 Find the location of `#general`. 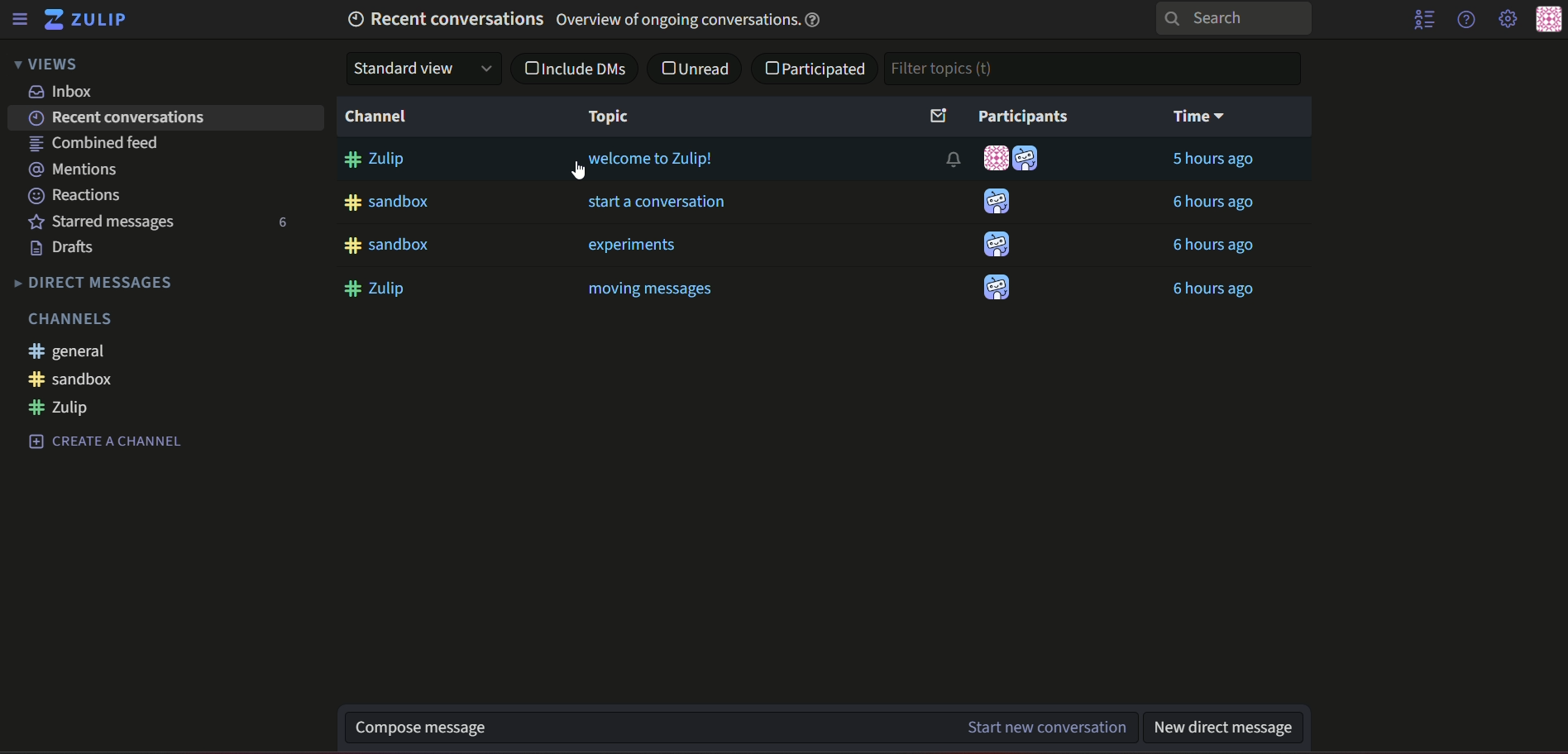

#general is located at coordinates (72, 351).